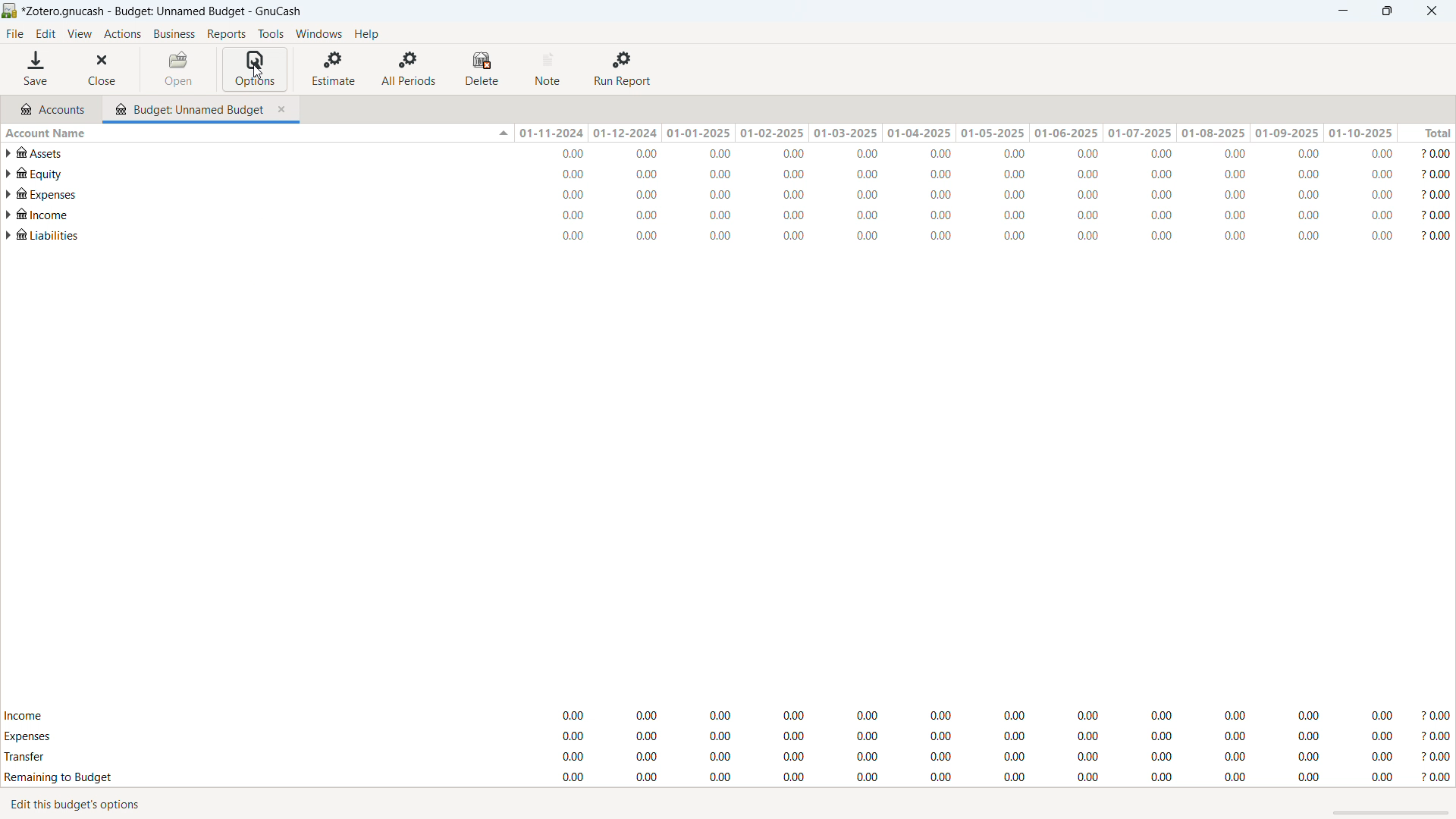 Image resolution: width=1456 pixels, height=819 pixels. I want to click on sort by account name, so click(256, 132).